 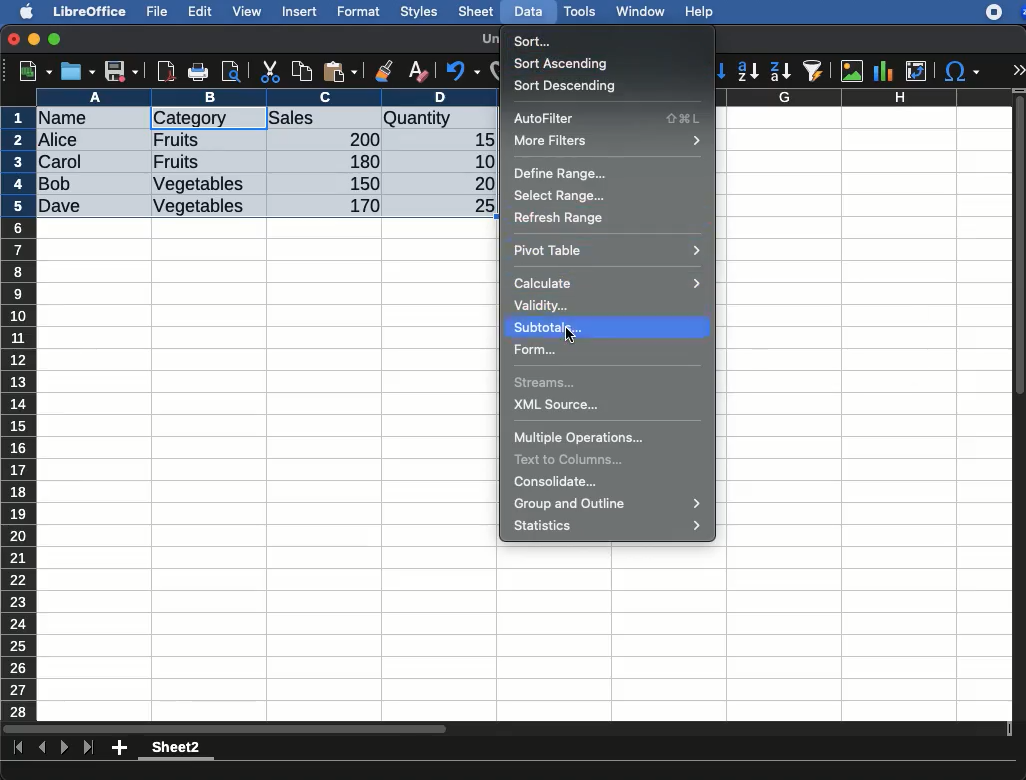 I want to click on quantity, so click(x=439, y=120).